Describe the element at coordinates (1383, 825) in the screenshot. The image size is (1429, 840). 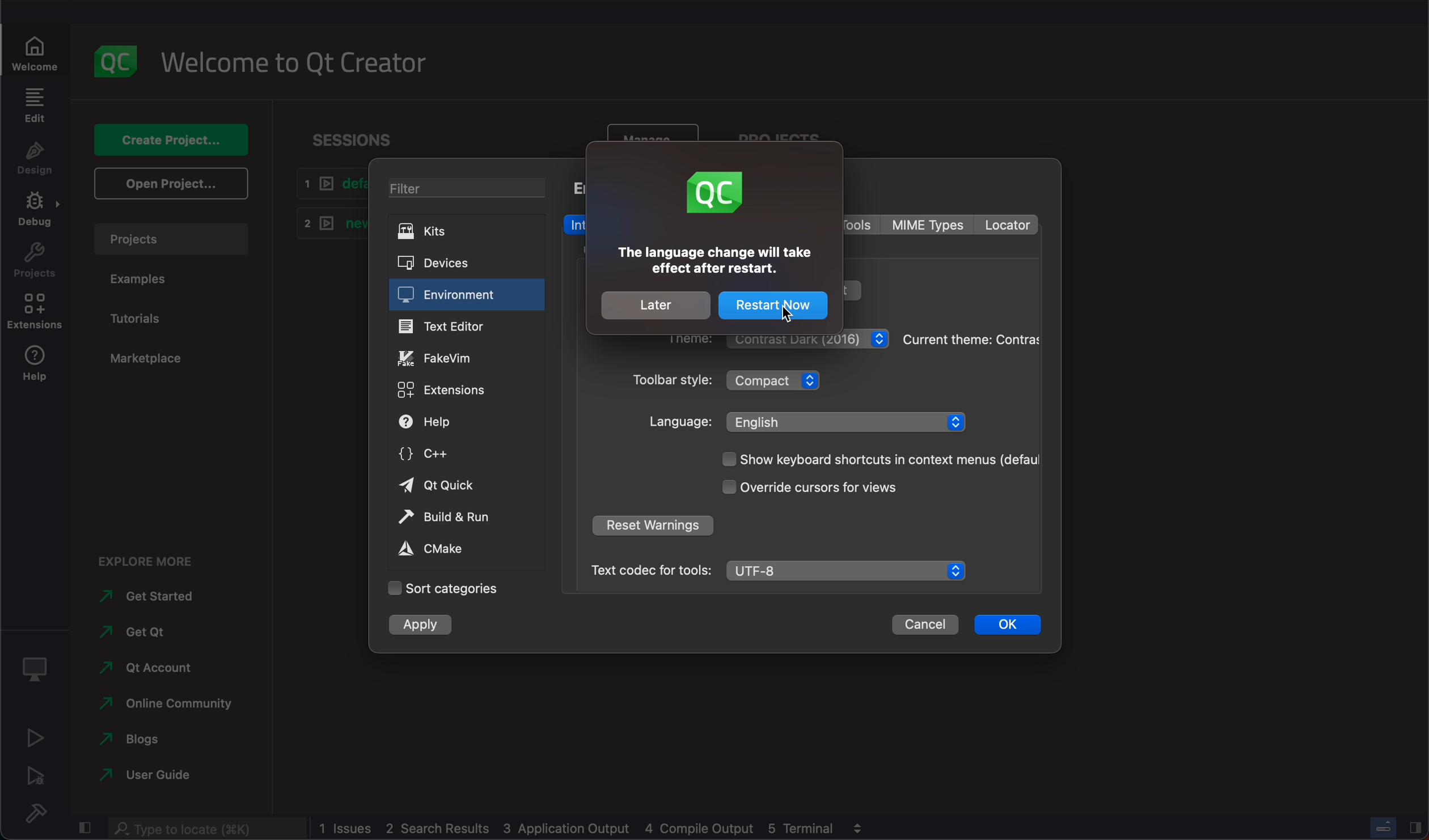
I see `progress bar` at that location.